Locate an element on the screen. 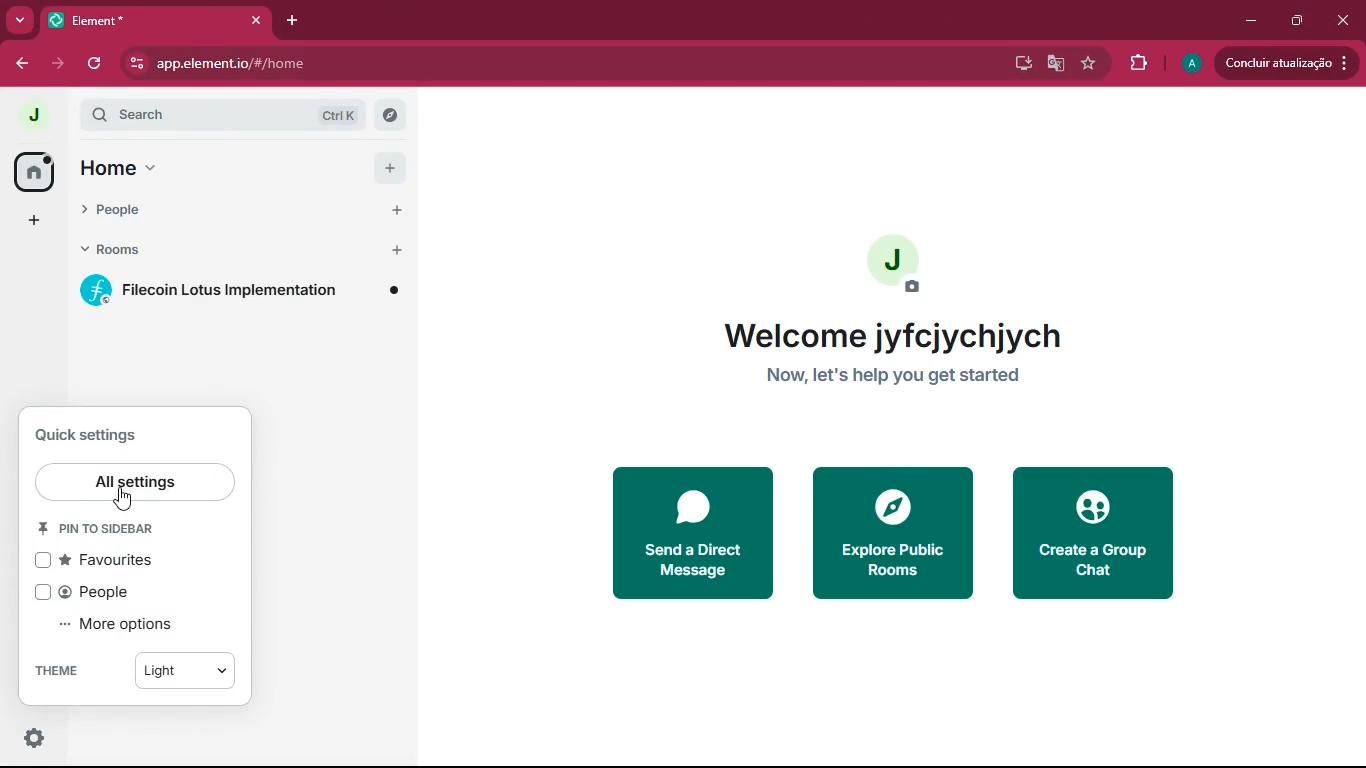  pin is located at coordinates (108, 528).